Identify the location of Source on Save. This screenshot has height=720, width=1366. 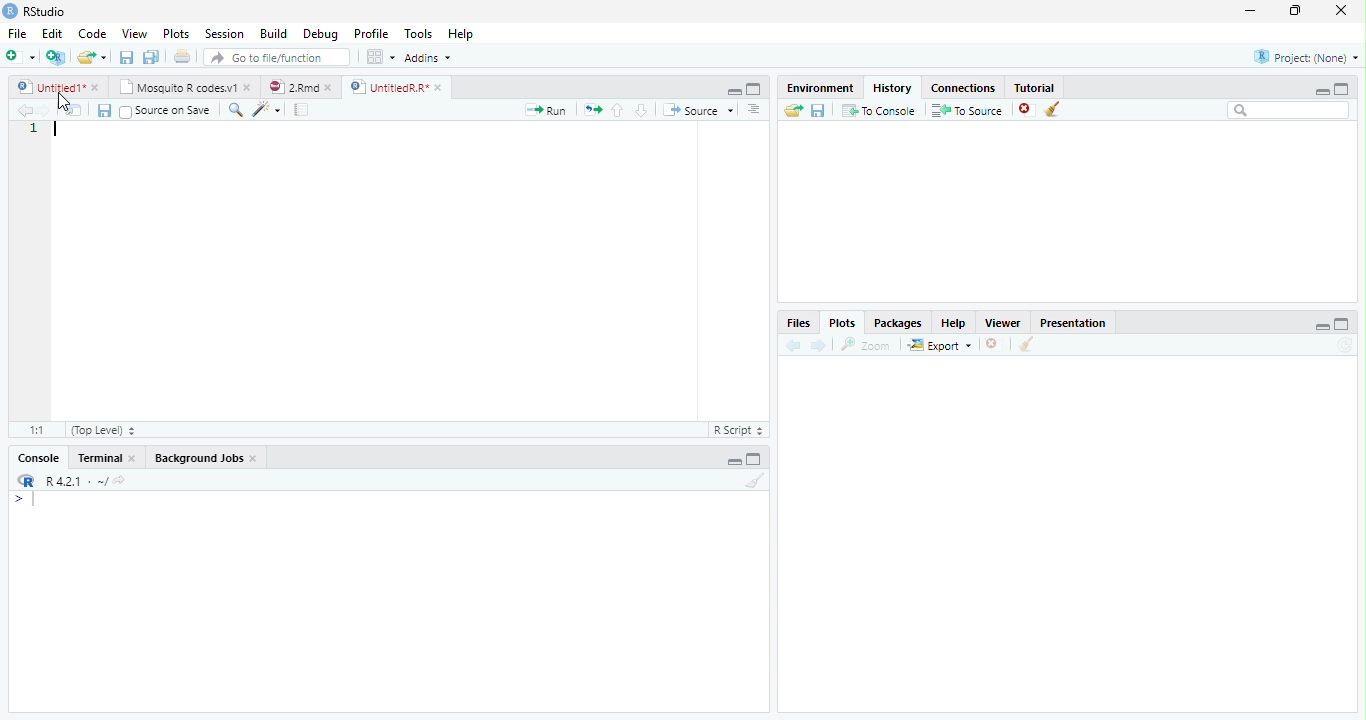
(168, 111).